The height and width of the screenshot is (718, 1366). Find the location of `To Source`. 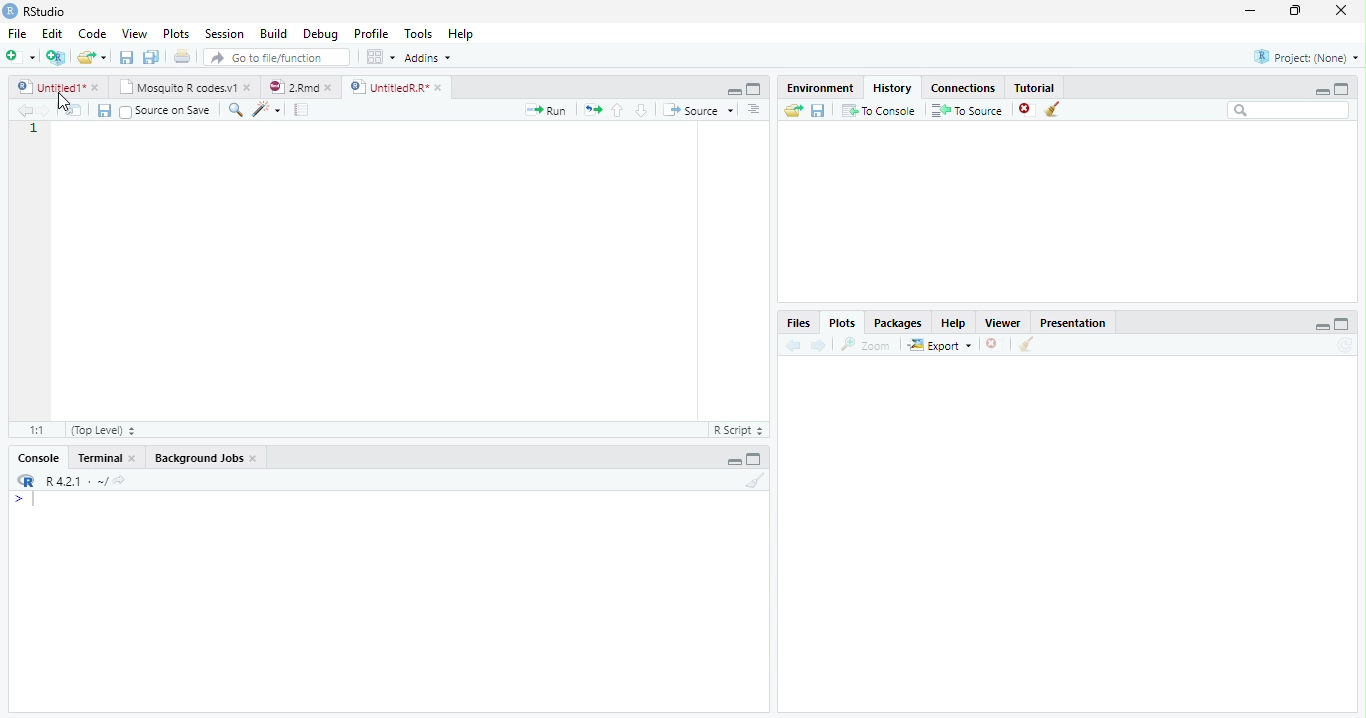

To Source is located at coordinates (968, 110).